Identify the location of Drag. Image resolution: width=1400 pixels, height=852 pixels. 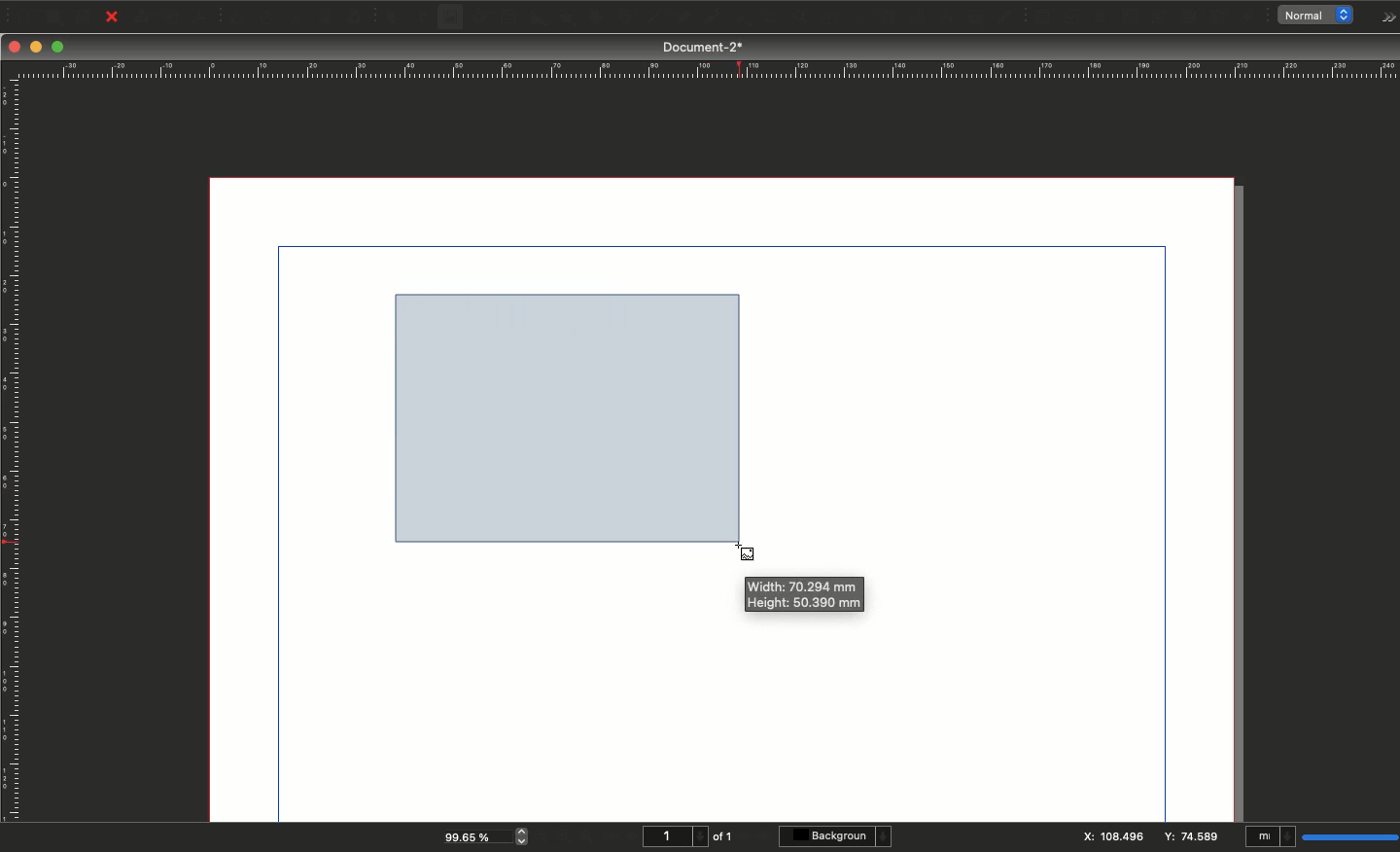
(570, 415).